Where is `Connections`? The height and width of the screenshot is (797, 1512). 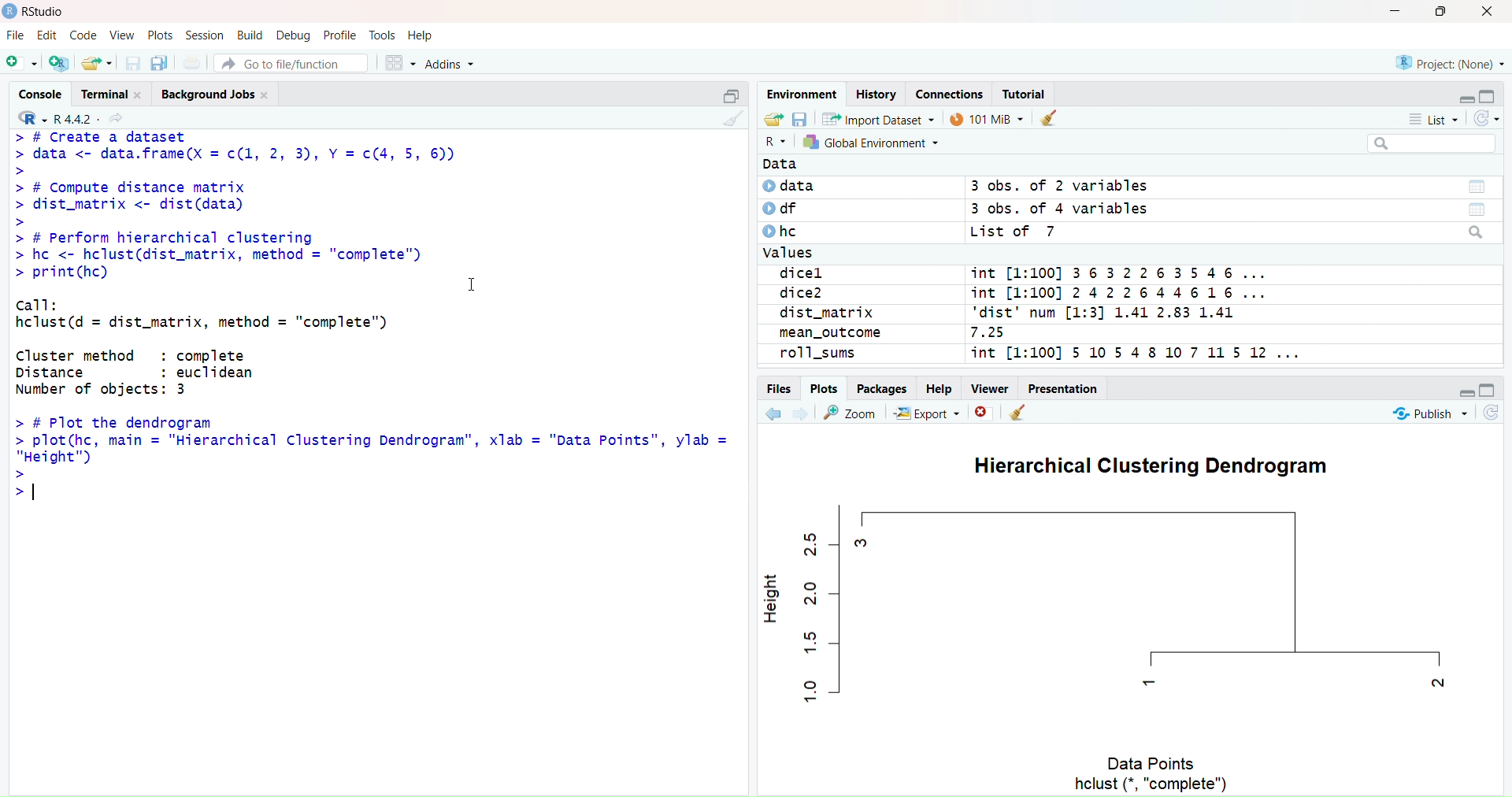 Connections is located at coordinates (948, 95).